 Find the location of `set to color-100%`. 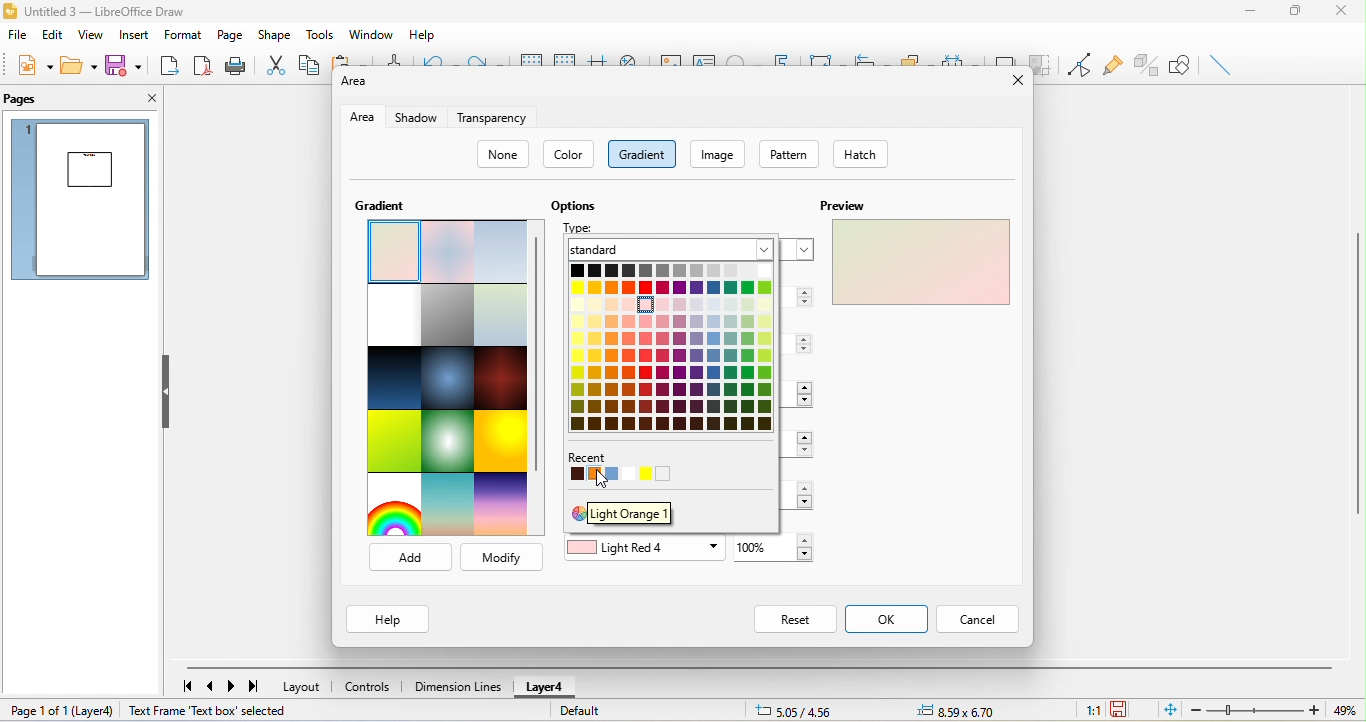

set to color-100% is located at coordinates (780, 548).